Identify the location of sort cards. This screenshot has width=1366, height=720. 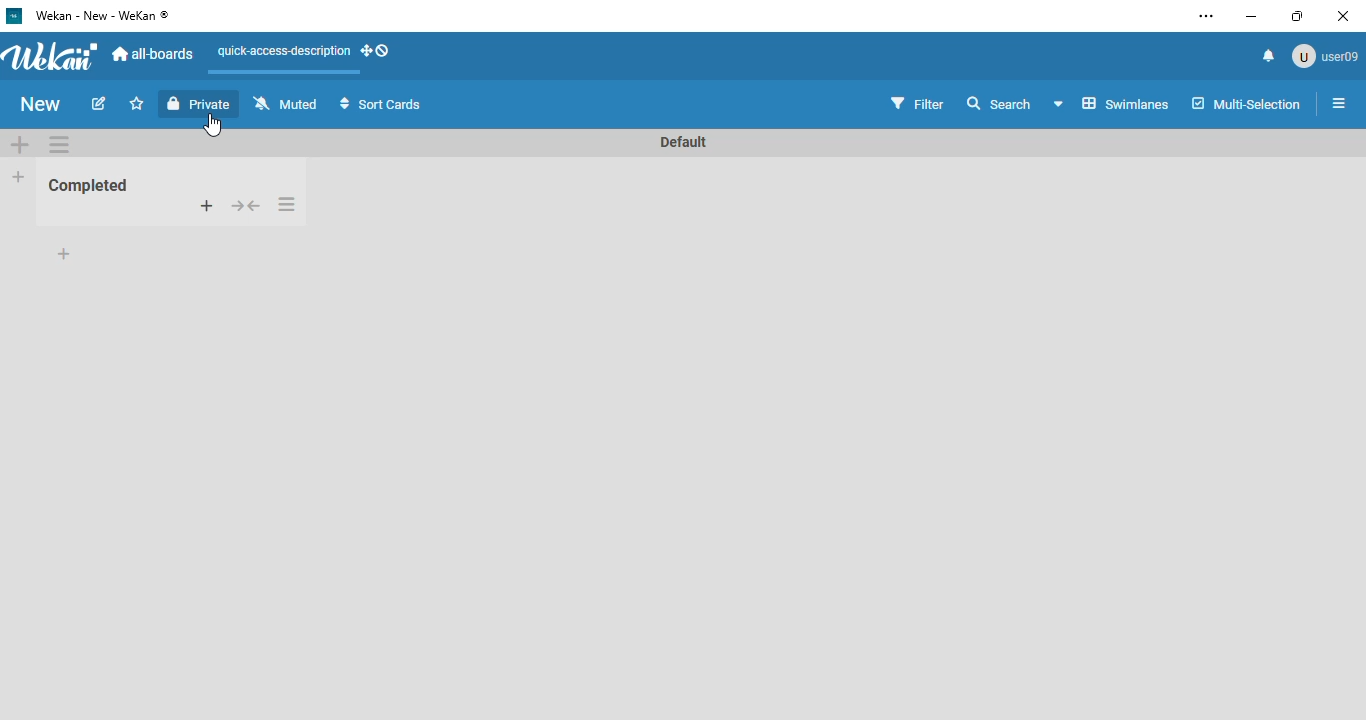
(381, 103).